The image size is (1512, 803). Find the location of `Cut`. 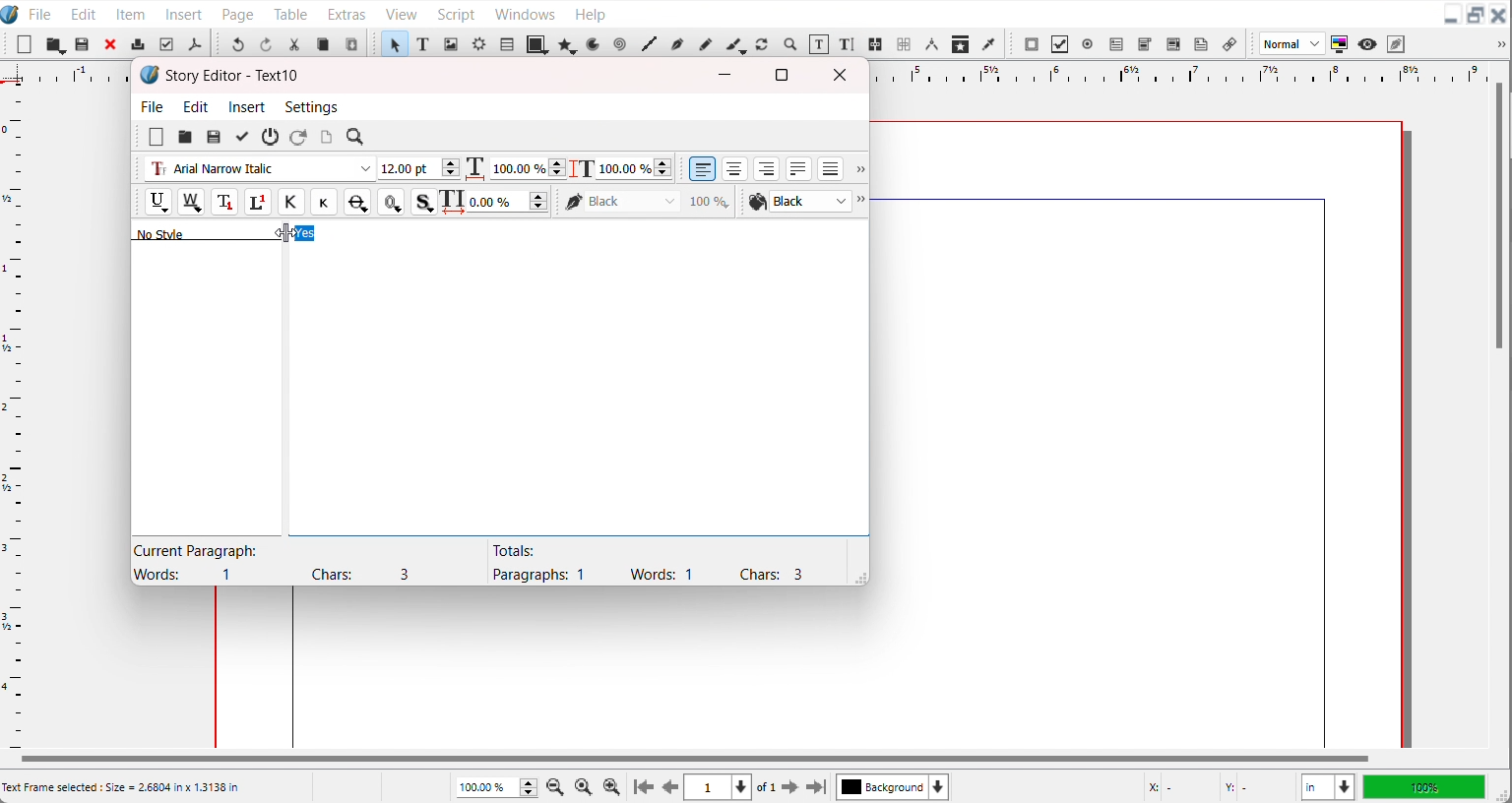

Cut is located at coordinates (294, 44).